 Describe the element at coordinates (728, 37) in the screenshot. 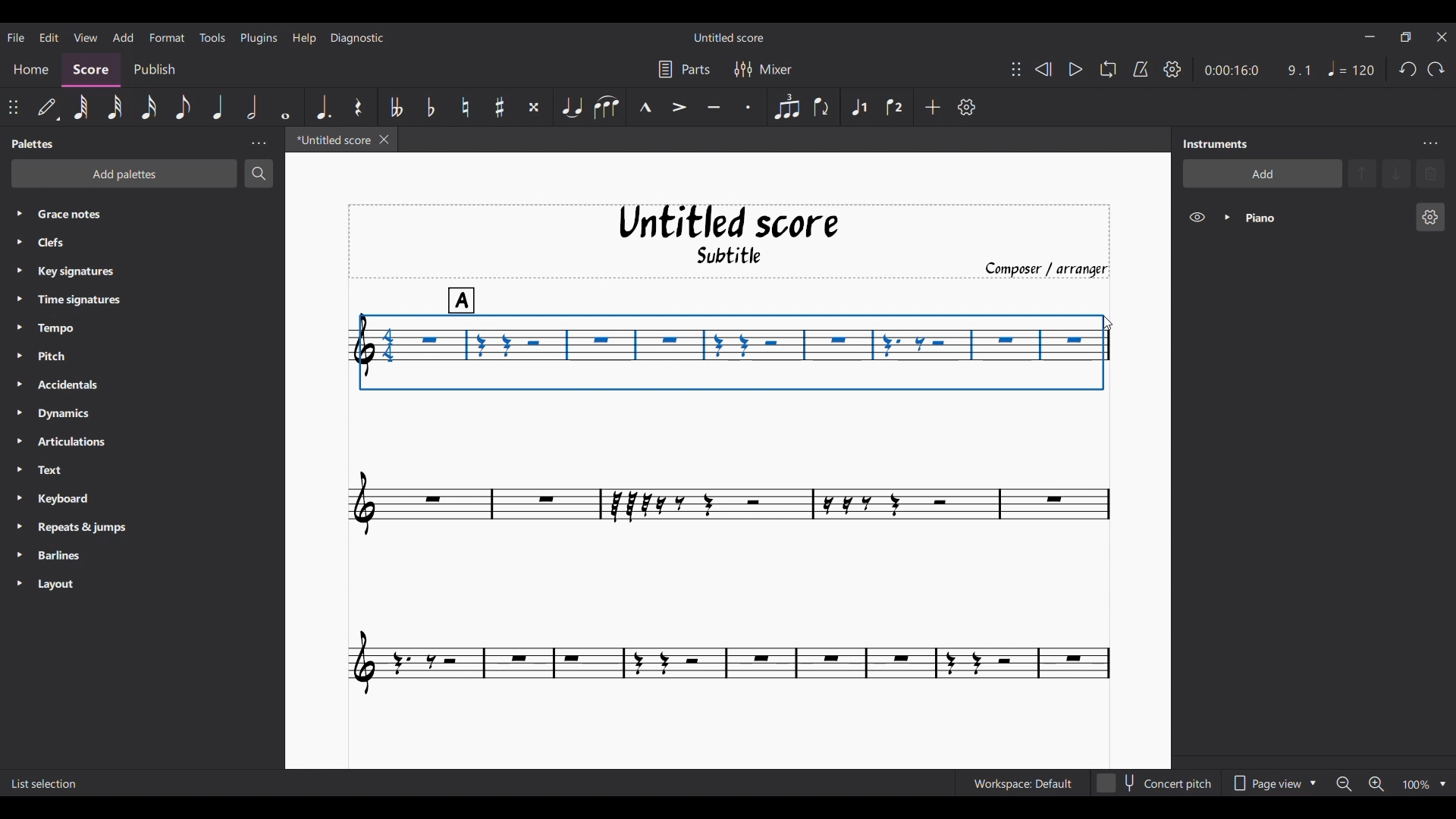

I see `Score name` at that location.